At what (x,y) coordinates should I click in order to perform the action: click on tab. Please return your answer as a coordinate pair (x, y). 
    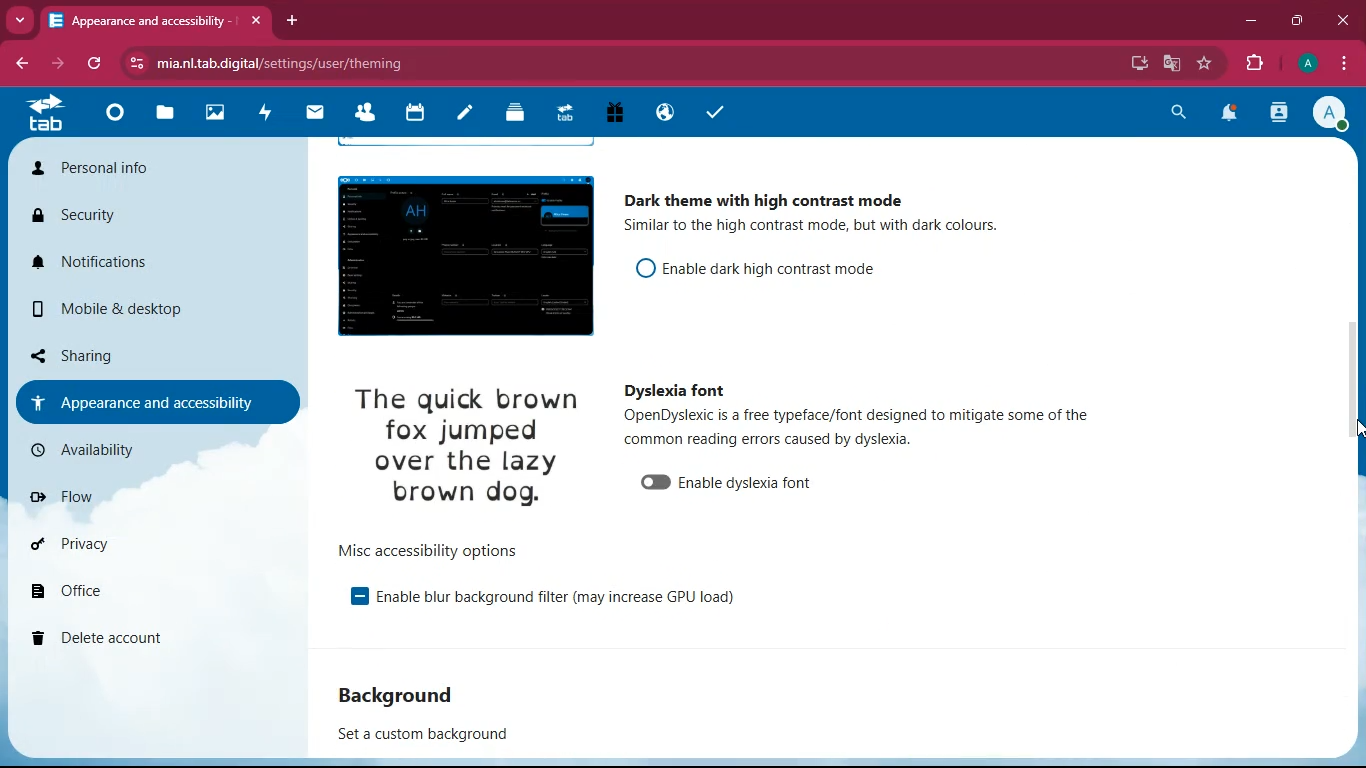
    Looking at the image, I should click on (53, 112).